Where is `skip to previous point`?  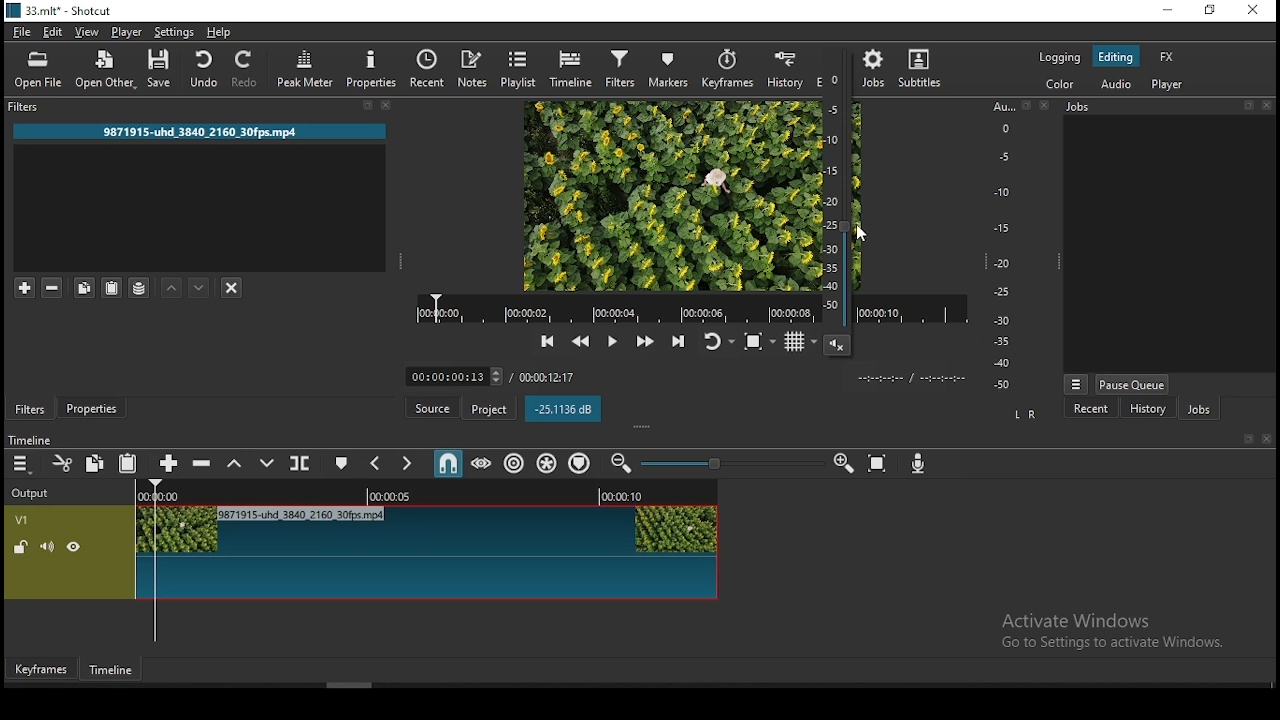
skip to previous point is located at coordinates (547, 341).